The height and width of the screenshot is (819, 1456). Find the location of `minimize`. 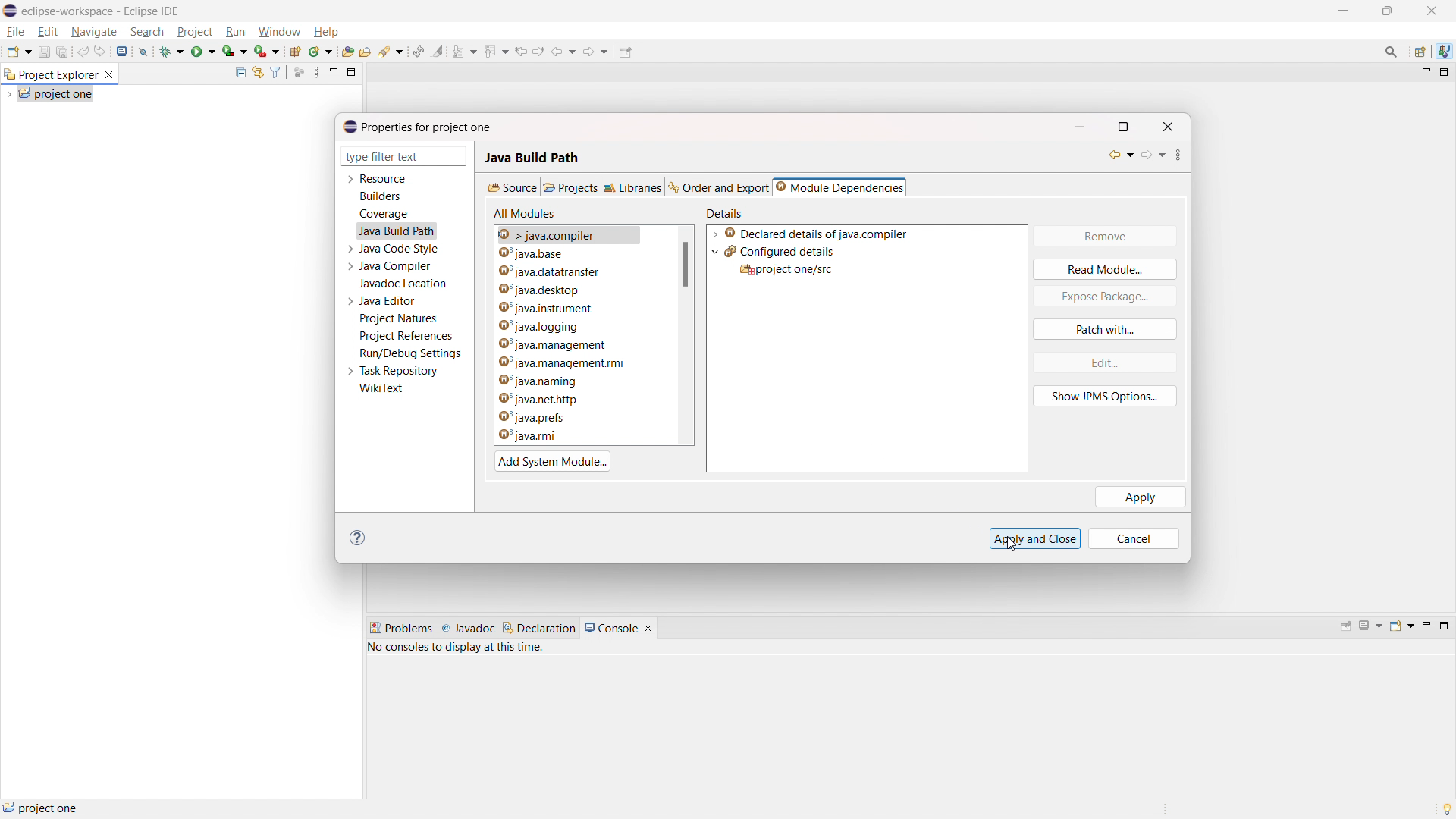

minimize is located at coordinates (1424, 73).